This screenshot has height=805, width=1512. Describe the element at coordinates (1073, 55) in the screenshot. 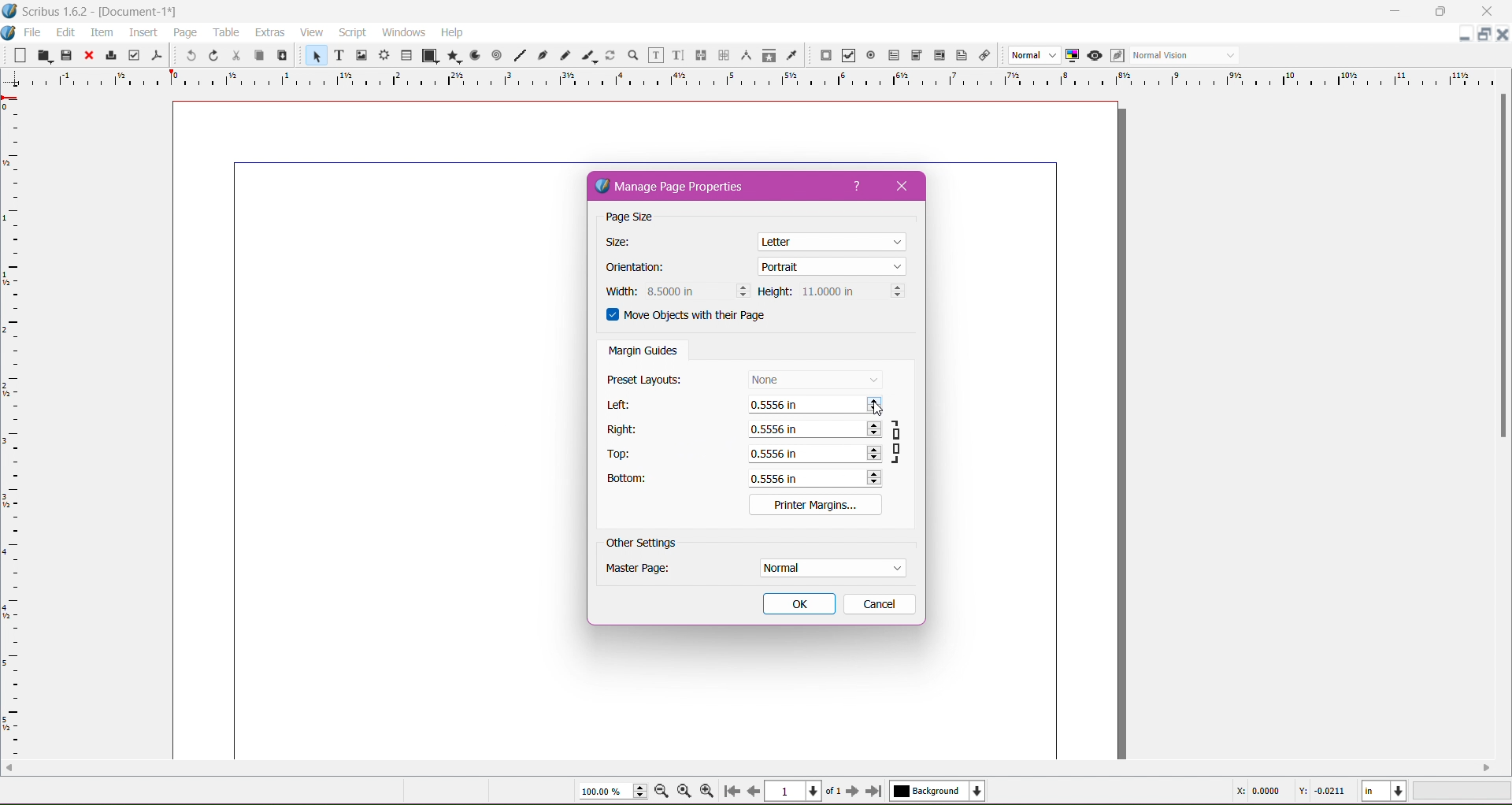

I see `Toggle Color Management System` at that location.